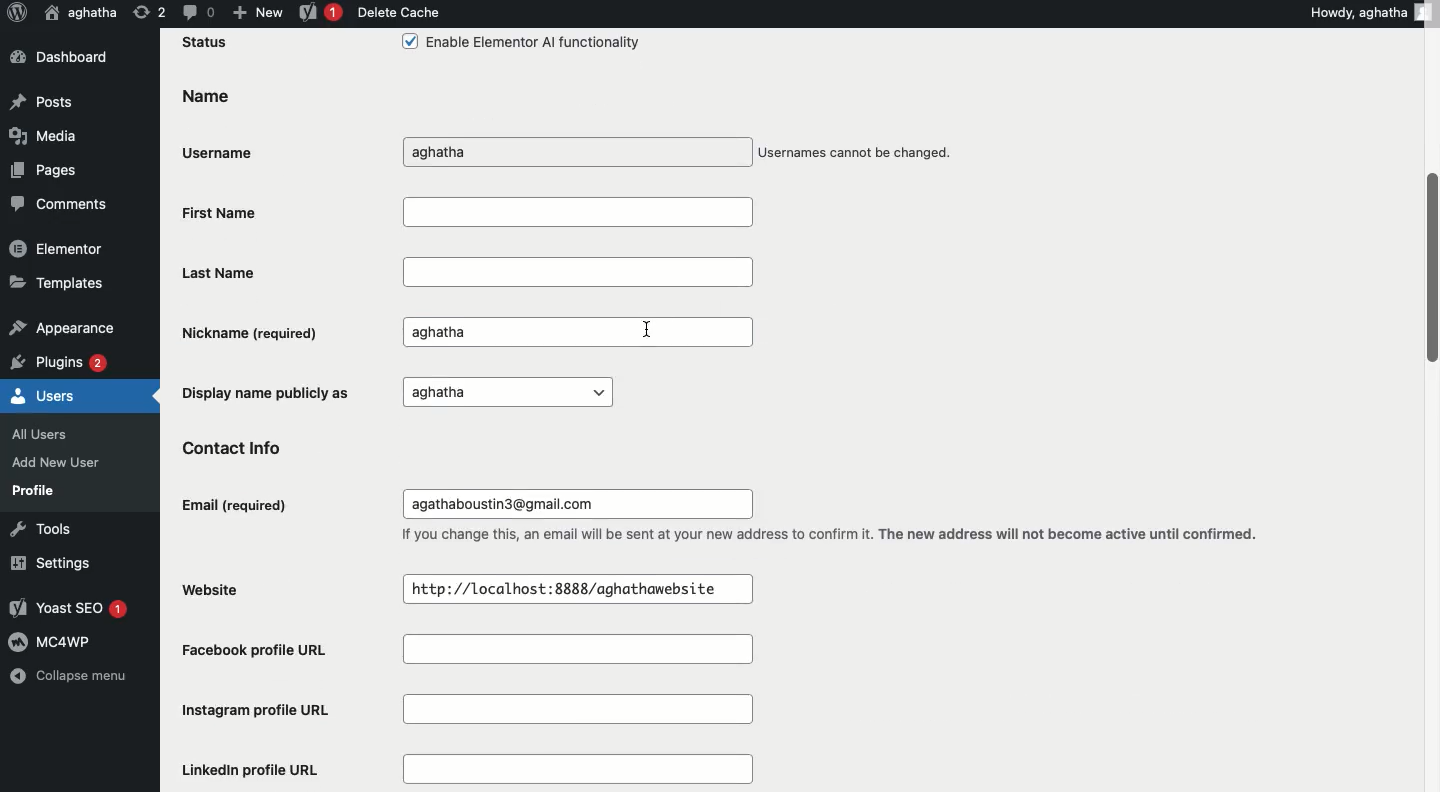 This screenshot has width=1440, height=792. Describe the element at coordinates (257, 11) in the screenshot. I see `New` at that location.